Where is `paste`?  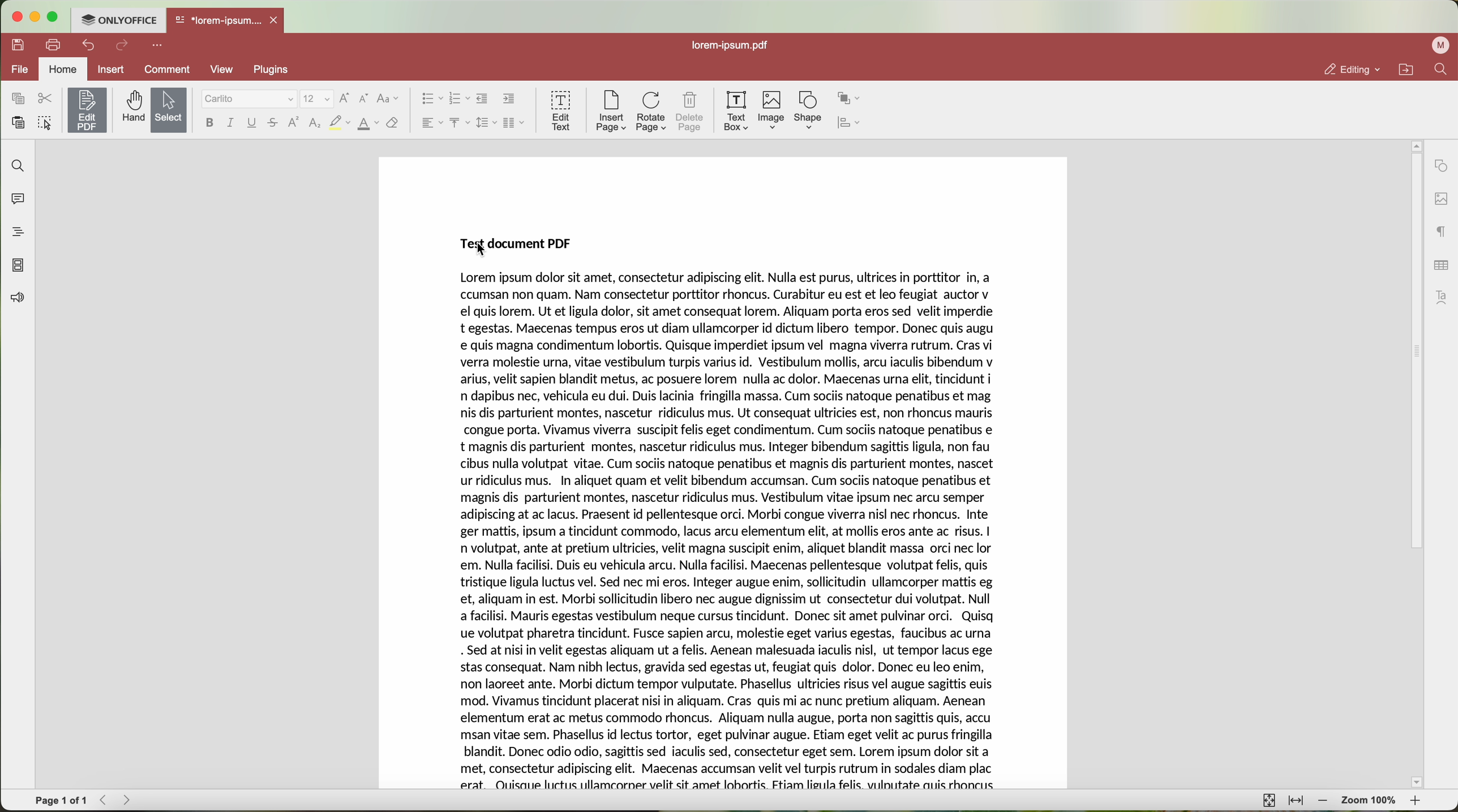 paste is located at coordinates (18, 122).